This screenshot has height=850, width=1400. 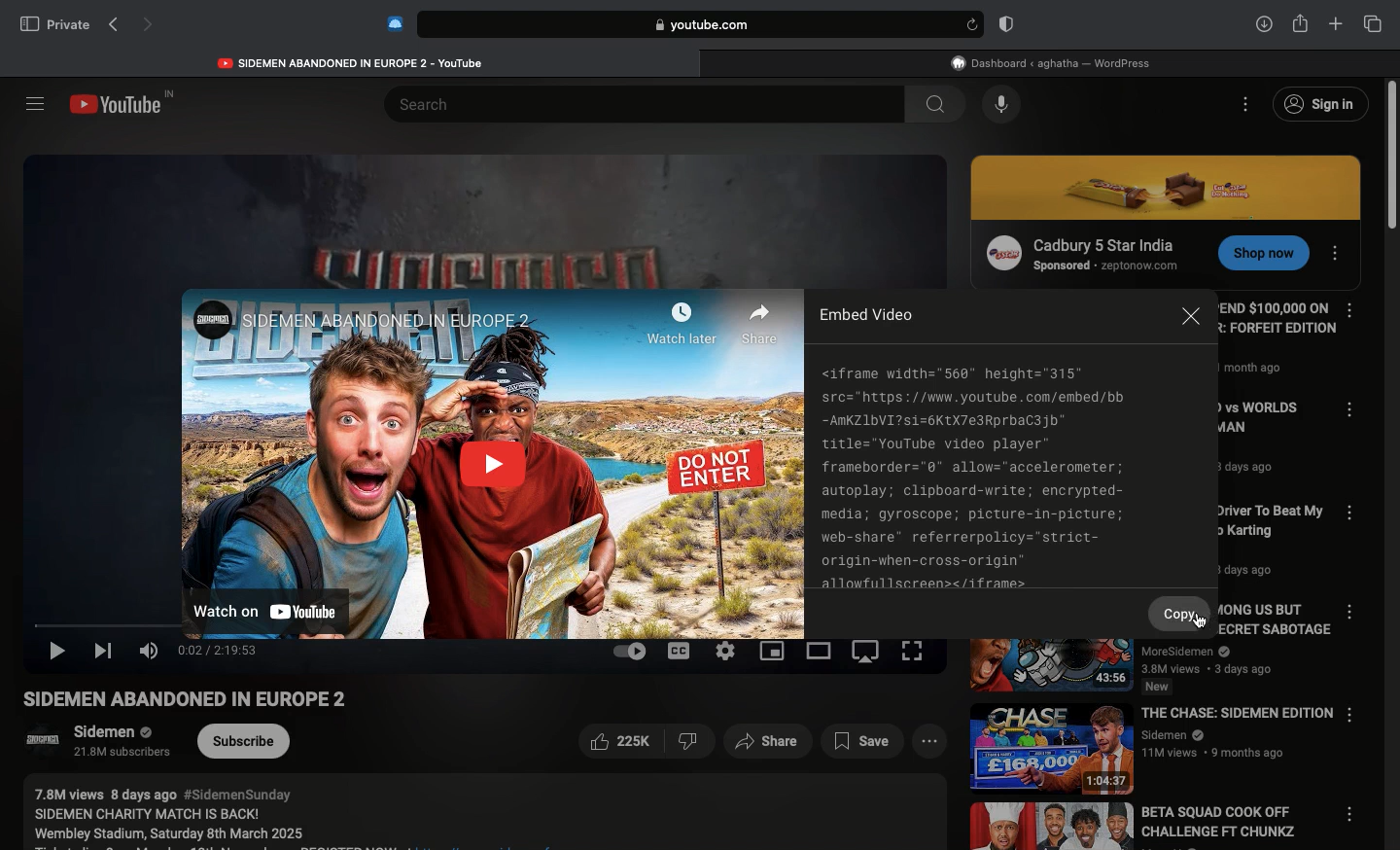 I want to click on Tabs, so click(x=1373, y=23).